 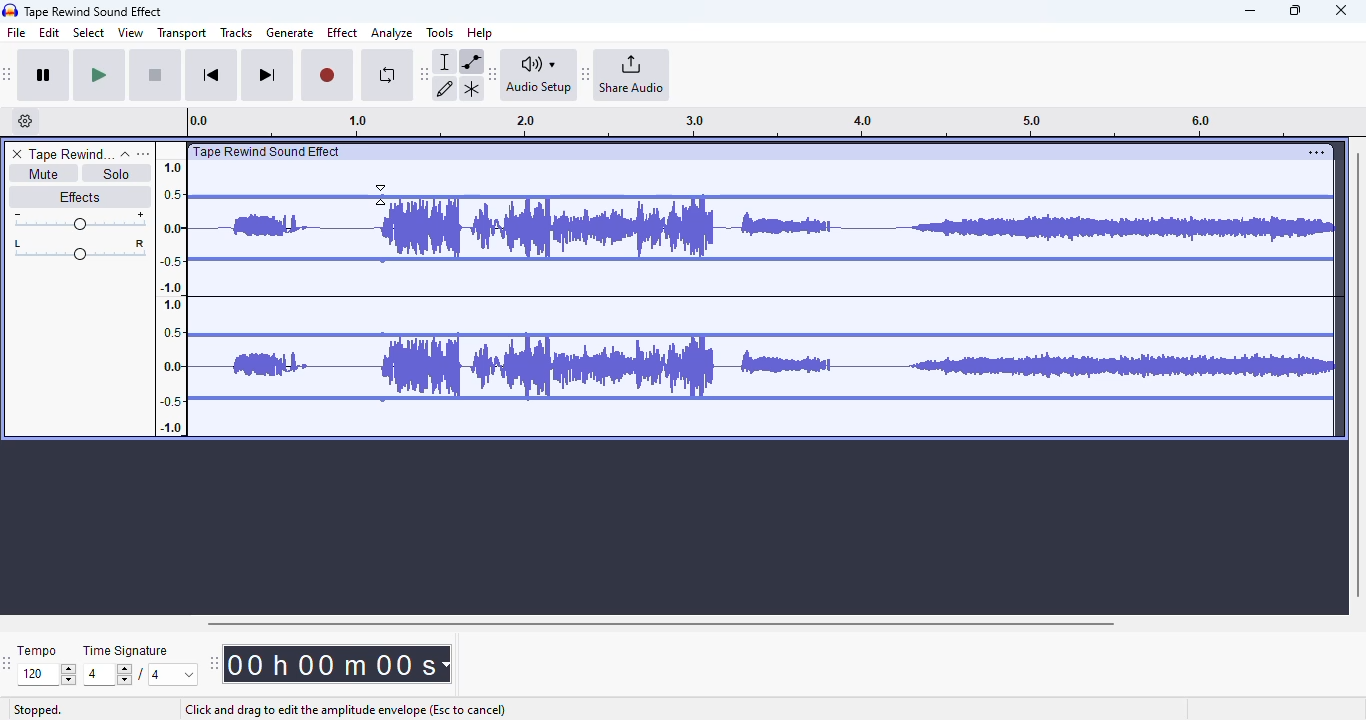 I want to click on close, so click(x=1341, y=10).